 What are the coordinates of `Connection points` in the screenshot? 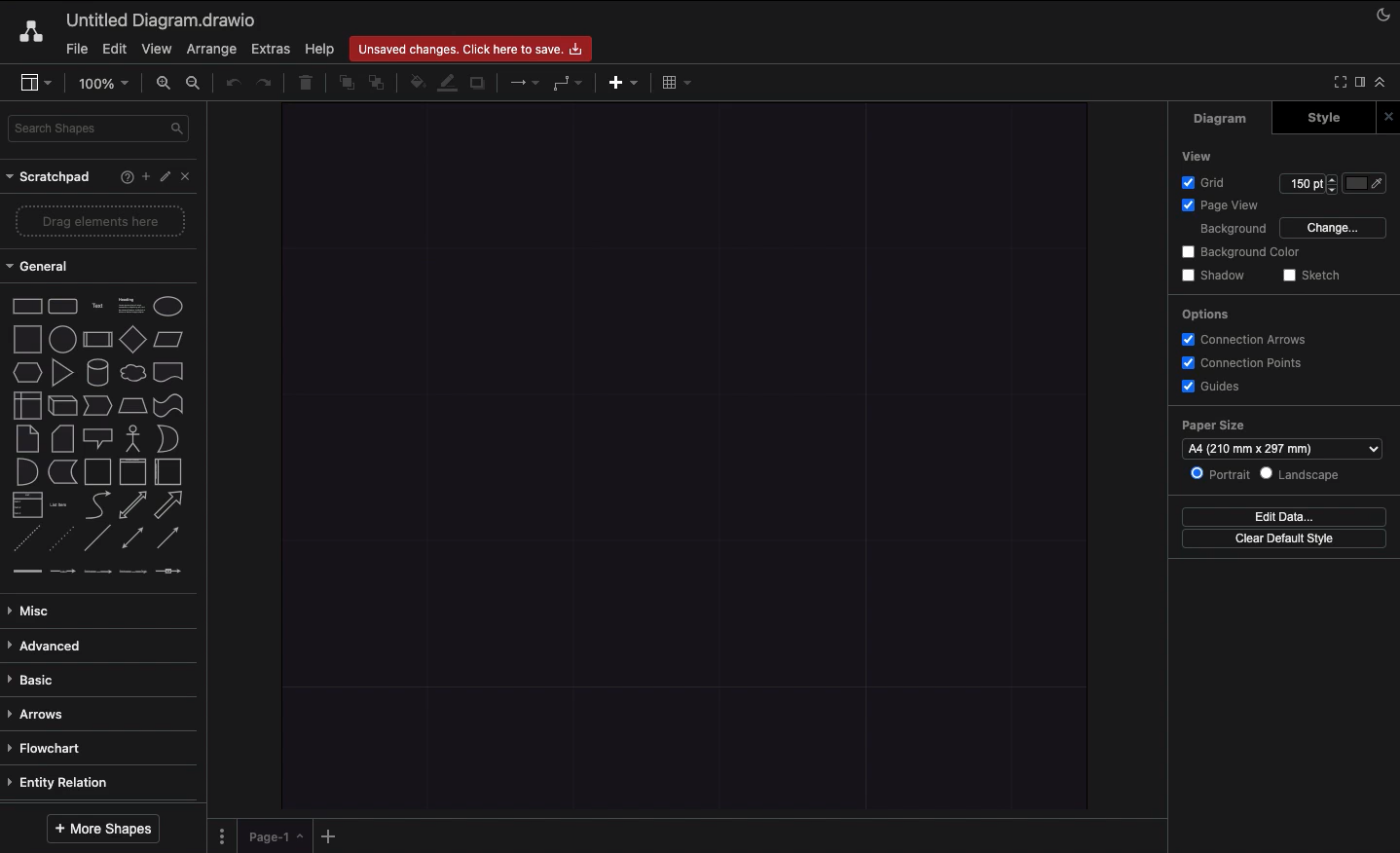 It's located at (1246, 362).